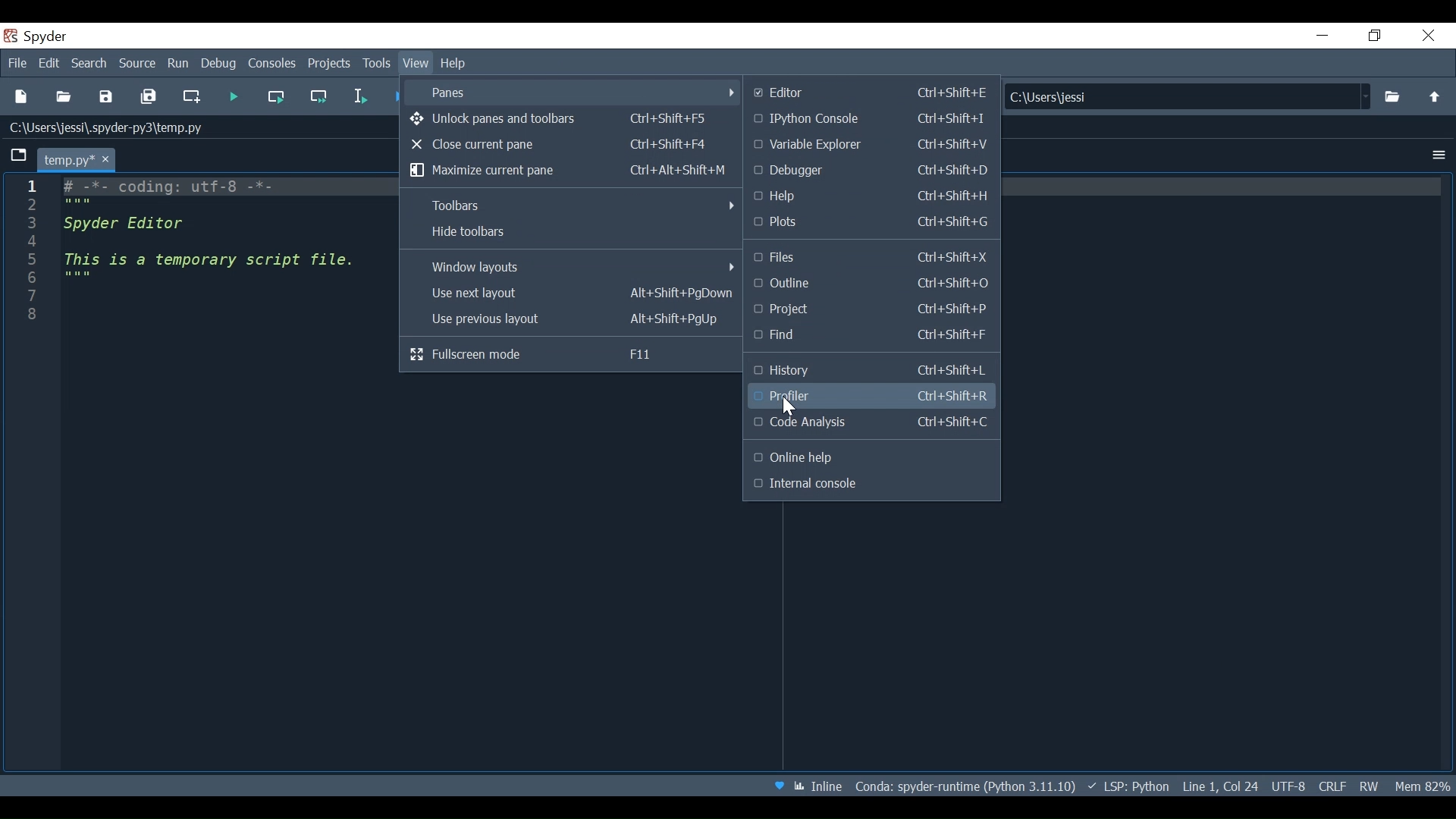 The width and height of the screenshot is (1456, 819). Describe the element at coordinates (1222, 784) in the screenshot. I see `Cursor Position` at that location.